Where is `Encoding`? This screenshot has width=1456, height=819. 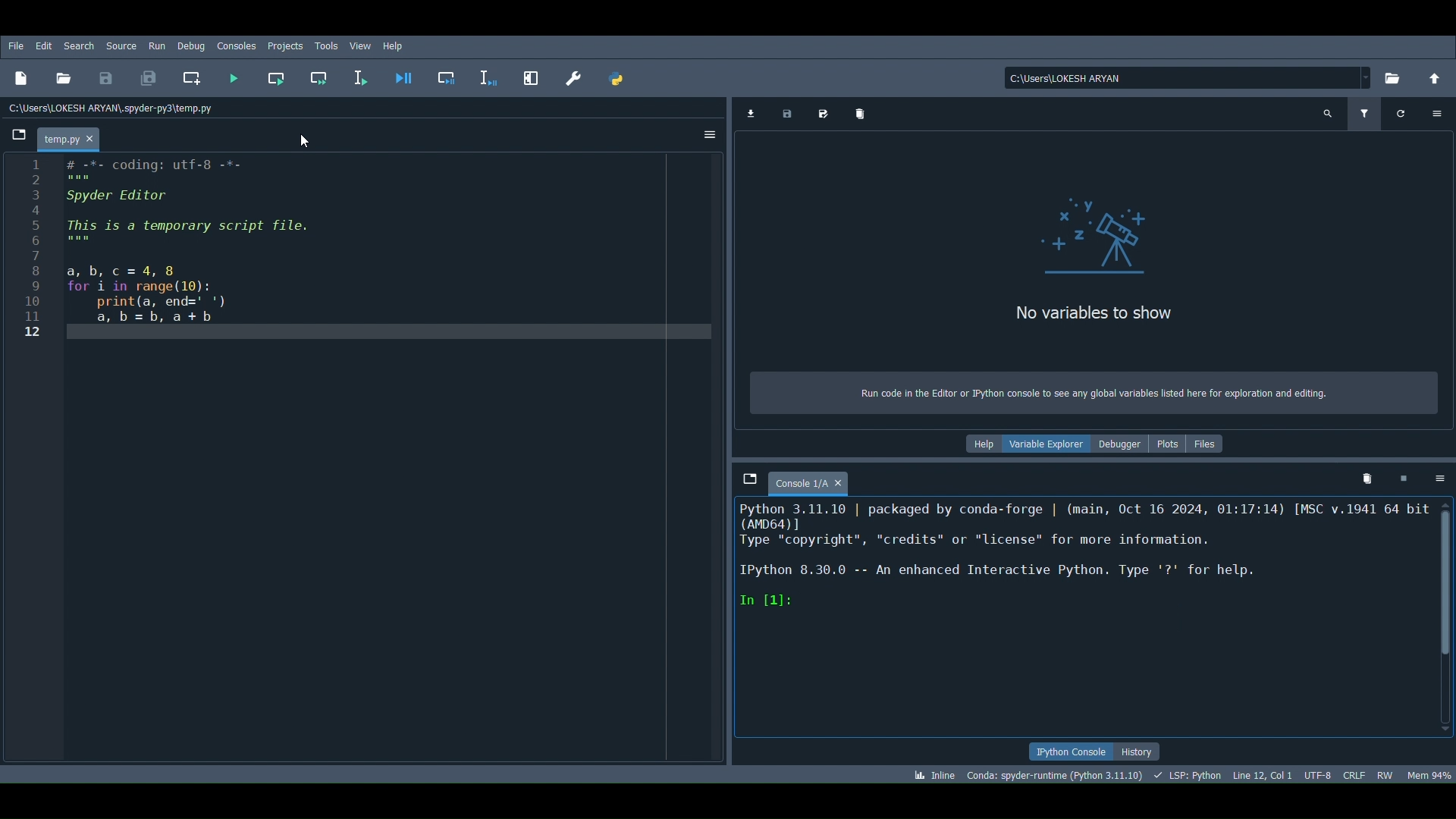 Encoding is located at coordinates (1319, 773).